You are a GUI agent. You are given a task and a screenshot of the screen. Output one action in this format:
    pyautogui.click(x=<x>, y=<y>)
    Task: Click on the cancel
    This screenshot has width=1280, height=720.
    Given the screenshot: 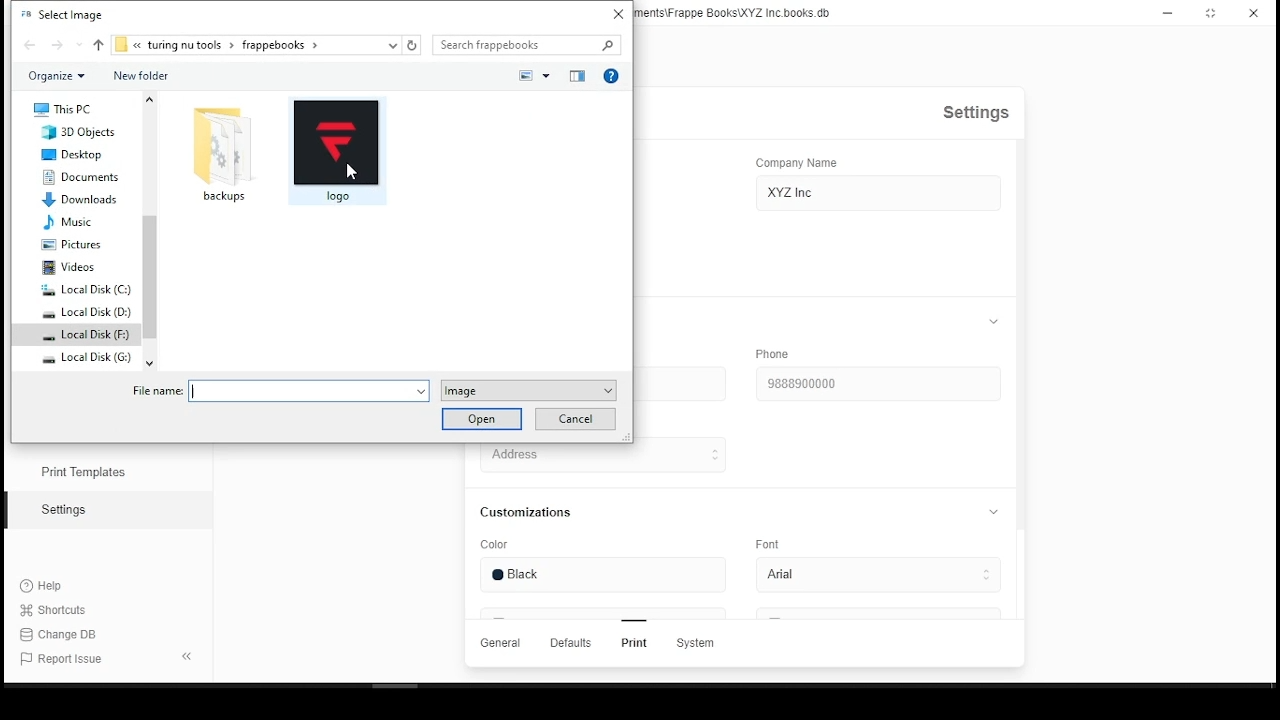 What is the action you would take?
    pyautogui.click(x=573, y=420)
    